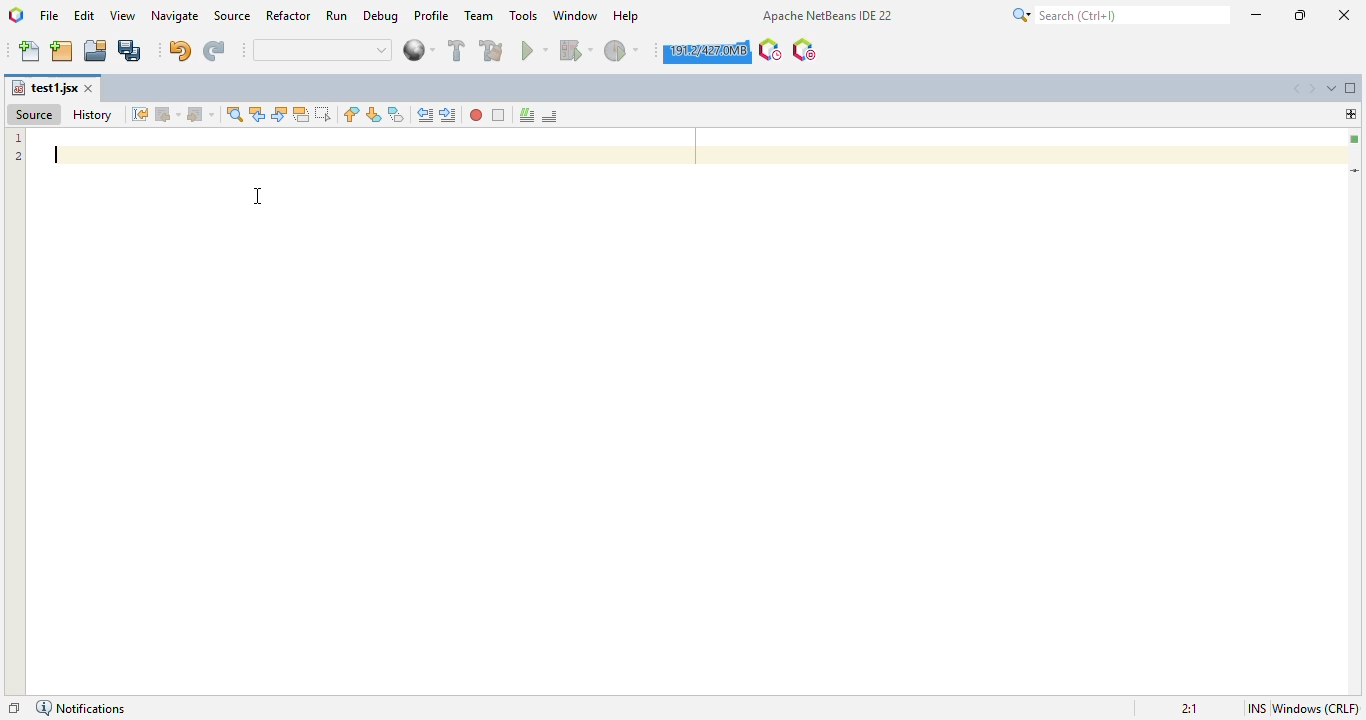 This screenshot has height=720, width=1366. Describe the element at coordinates (1355, 170) in the screenshot. I see `current line` at that location.